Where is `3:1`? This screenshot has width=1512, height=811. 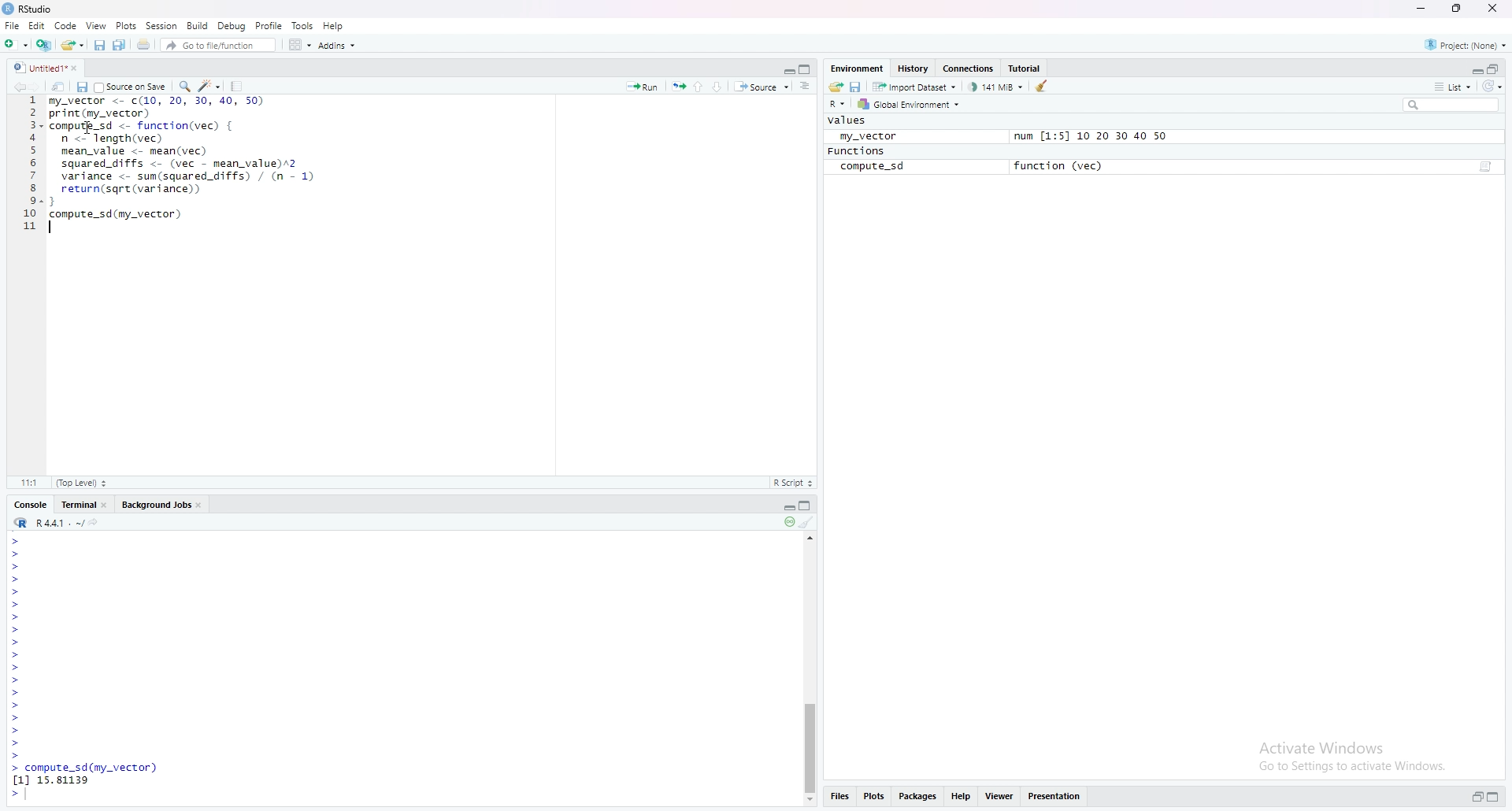
3:1 is located at coordinates (31, 482).